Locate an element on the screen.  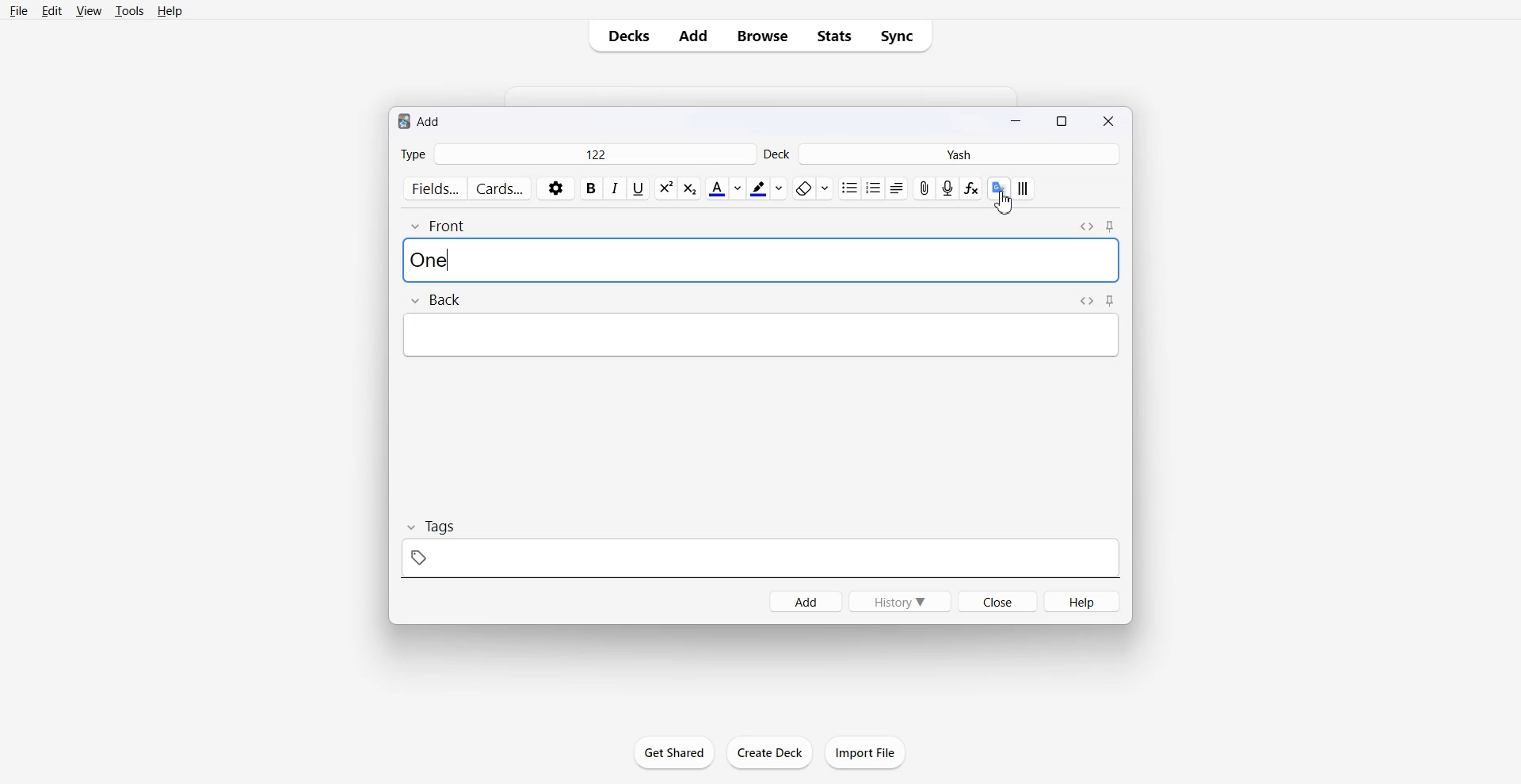
Fields is located at coordinates (433, 188).